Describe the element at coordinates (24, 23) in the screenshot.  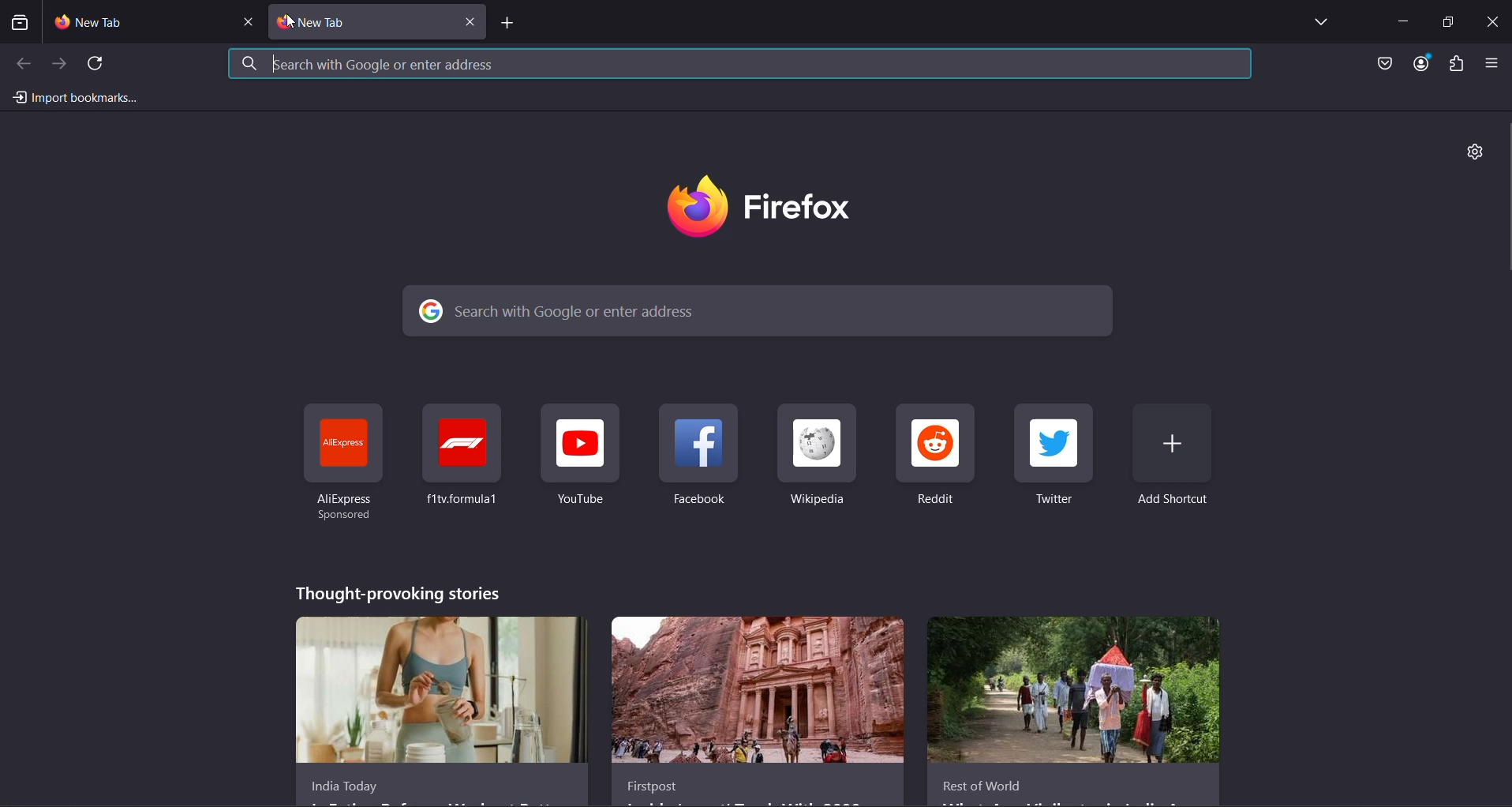
I see `view recent browsing across windows` at that location.